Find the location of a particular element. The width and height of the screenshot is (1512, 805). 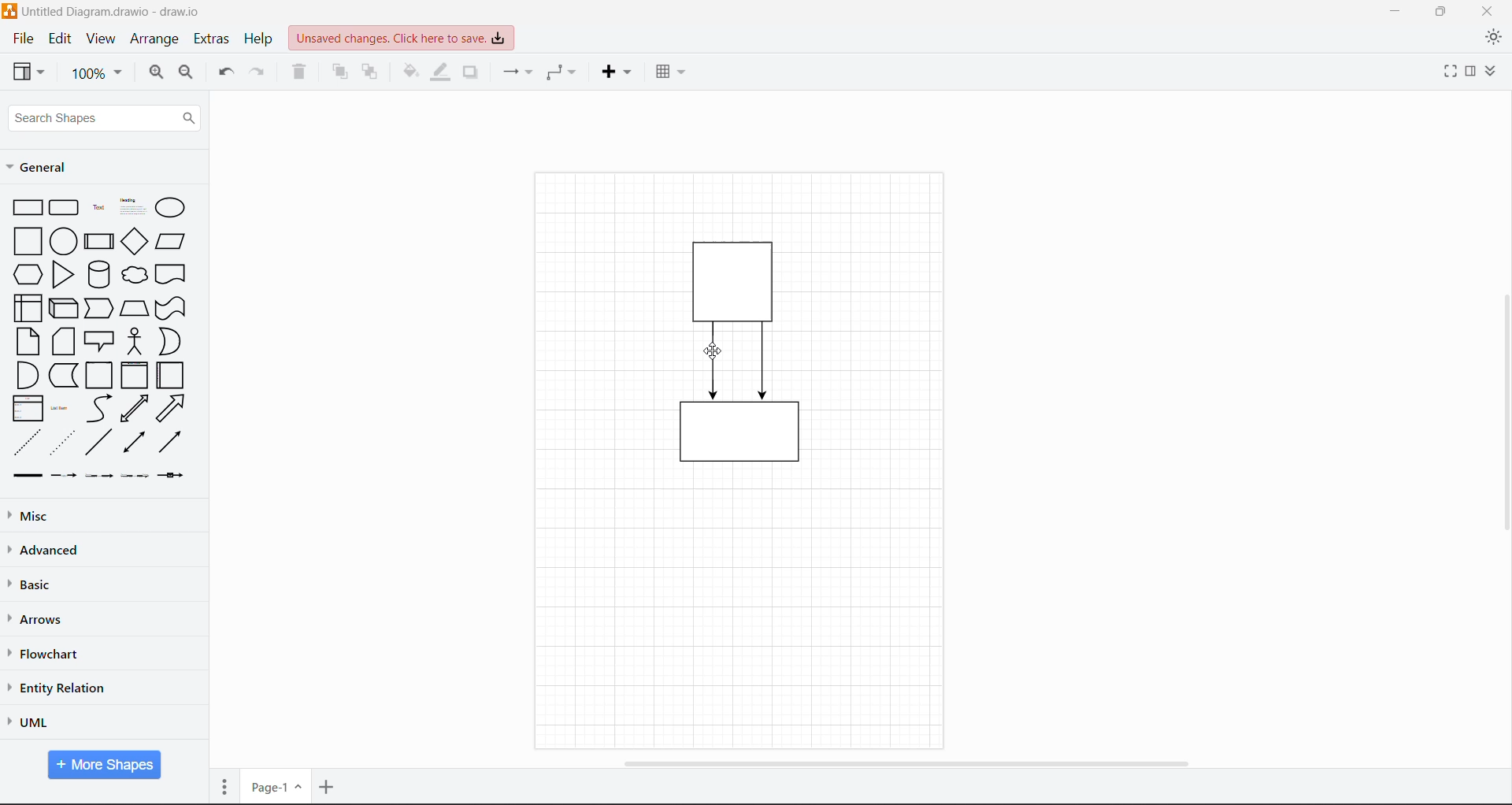

bidirectional arrow is located at coordinates (135, 409).